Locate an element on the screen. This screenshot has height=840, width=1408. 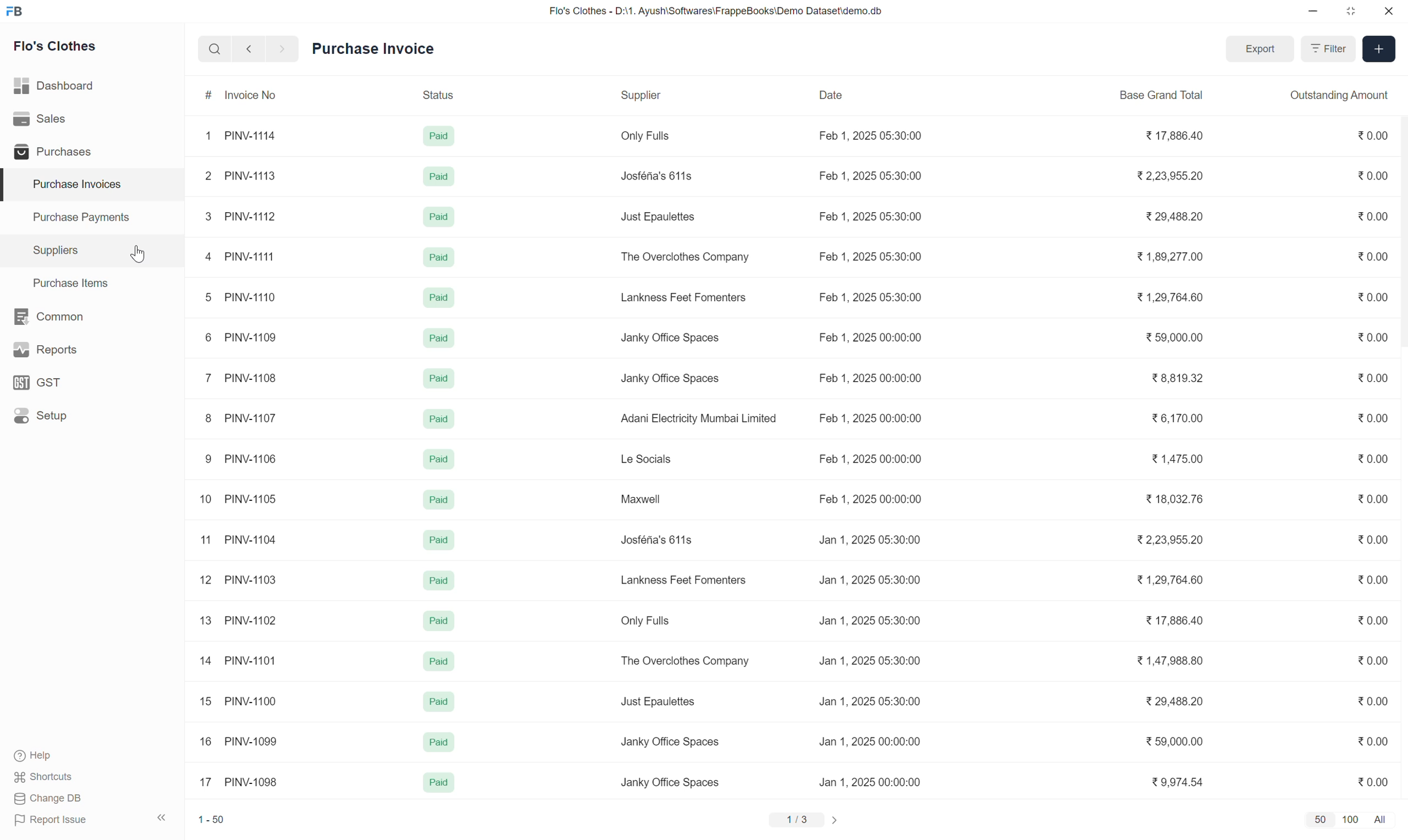
1 is located at coordinates (207, 138).